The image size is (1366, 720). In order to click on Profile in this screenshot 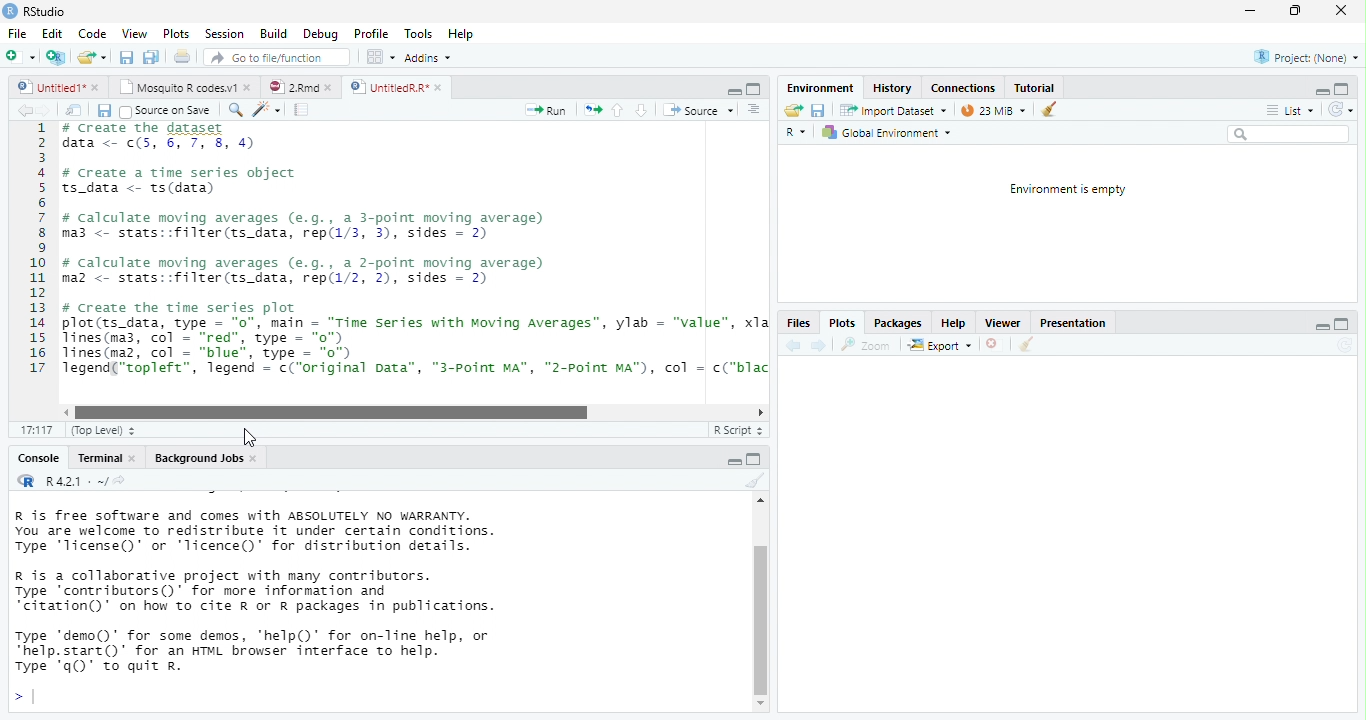, I will do `click(371, 34)`.